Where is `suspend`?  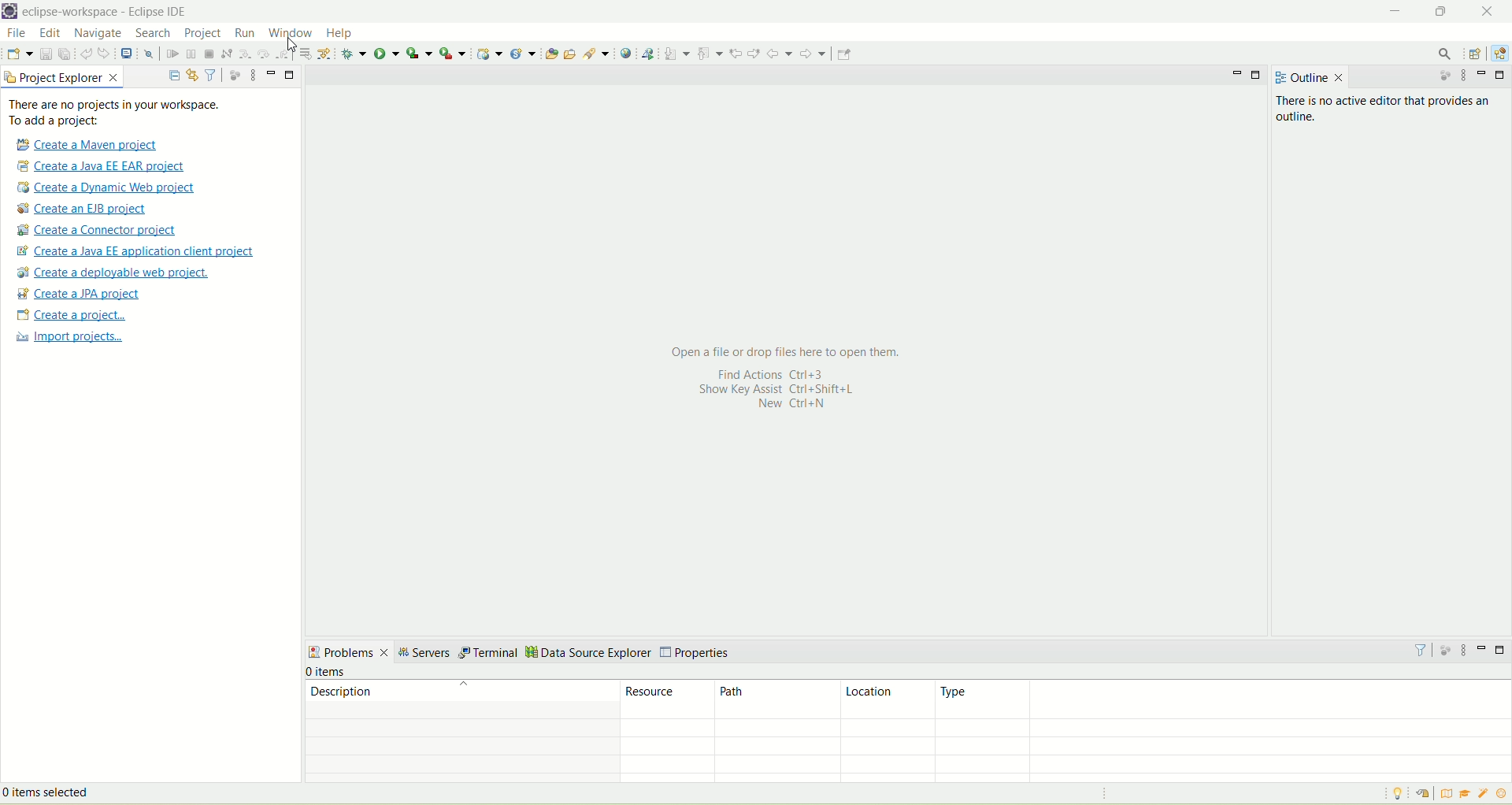 suspend is located at coordinates (190, 55).